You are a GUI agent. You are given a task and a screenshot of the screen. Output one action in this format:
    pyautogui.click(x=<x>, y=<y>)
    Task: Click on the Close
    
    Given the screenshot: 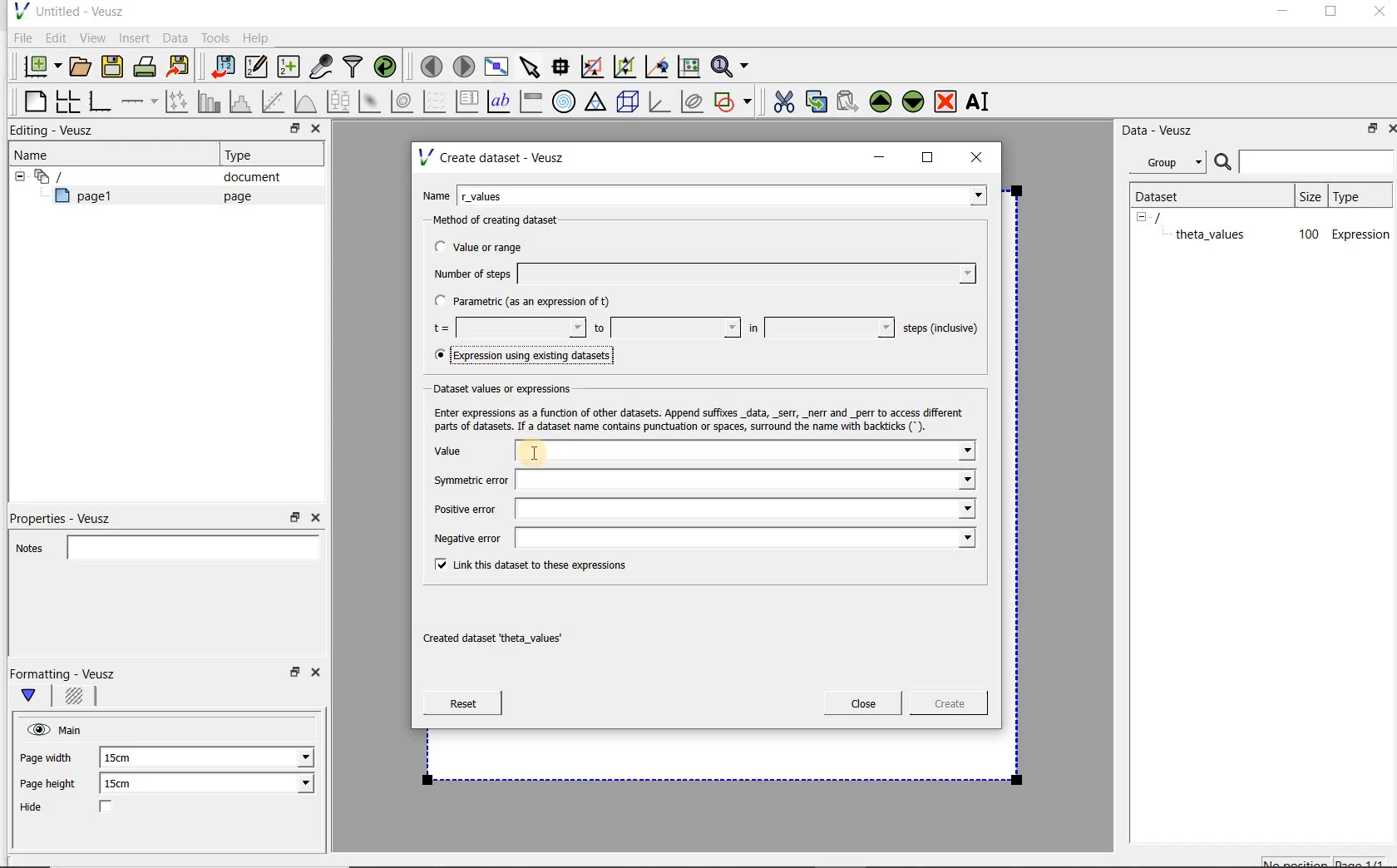 What is the action you would take?
    pyautogui.click(x=318, y=675)
    